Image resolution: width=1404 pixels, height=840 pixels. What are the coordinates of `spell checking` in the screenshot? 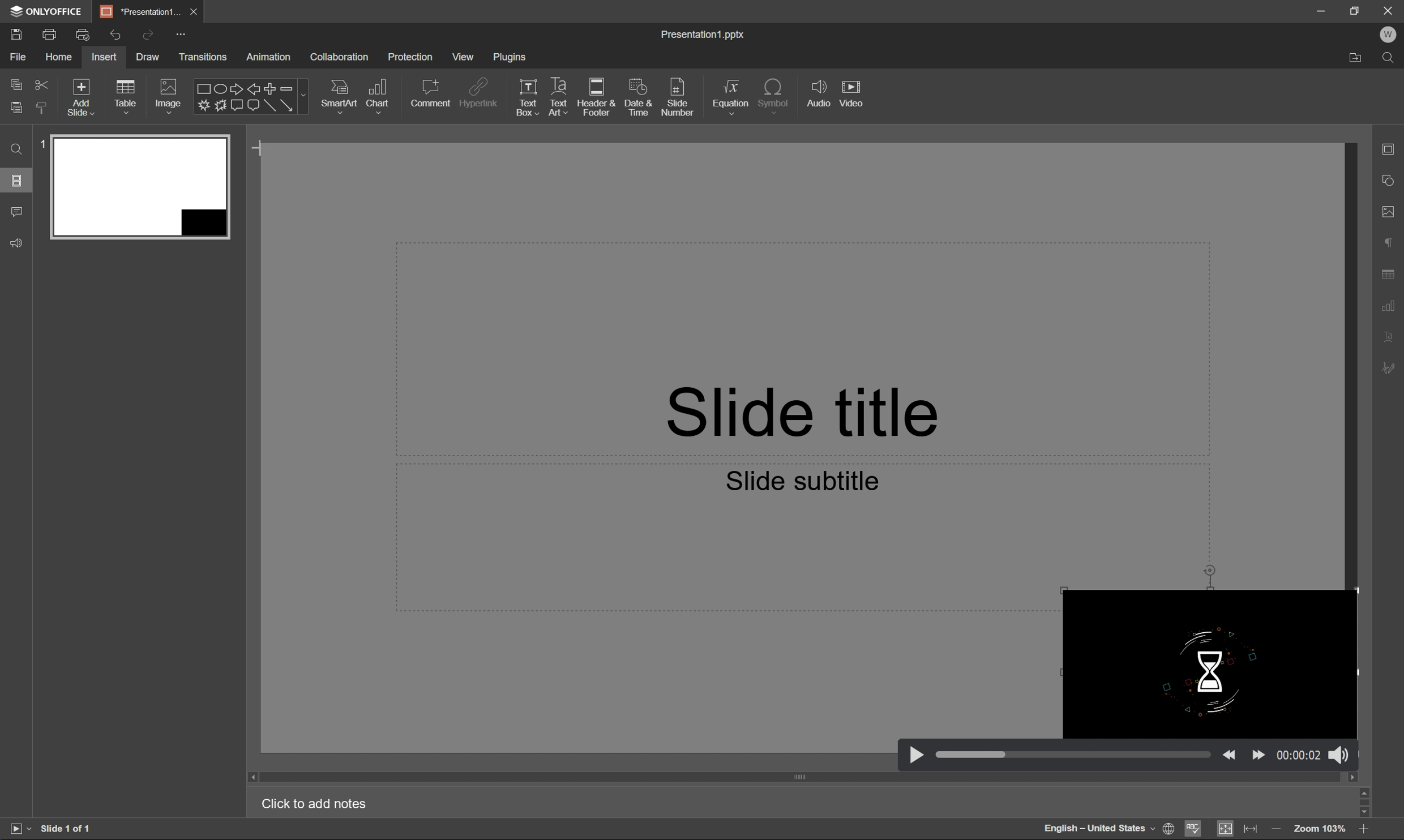 It's located at (1197, 830).